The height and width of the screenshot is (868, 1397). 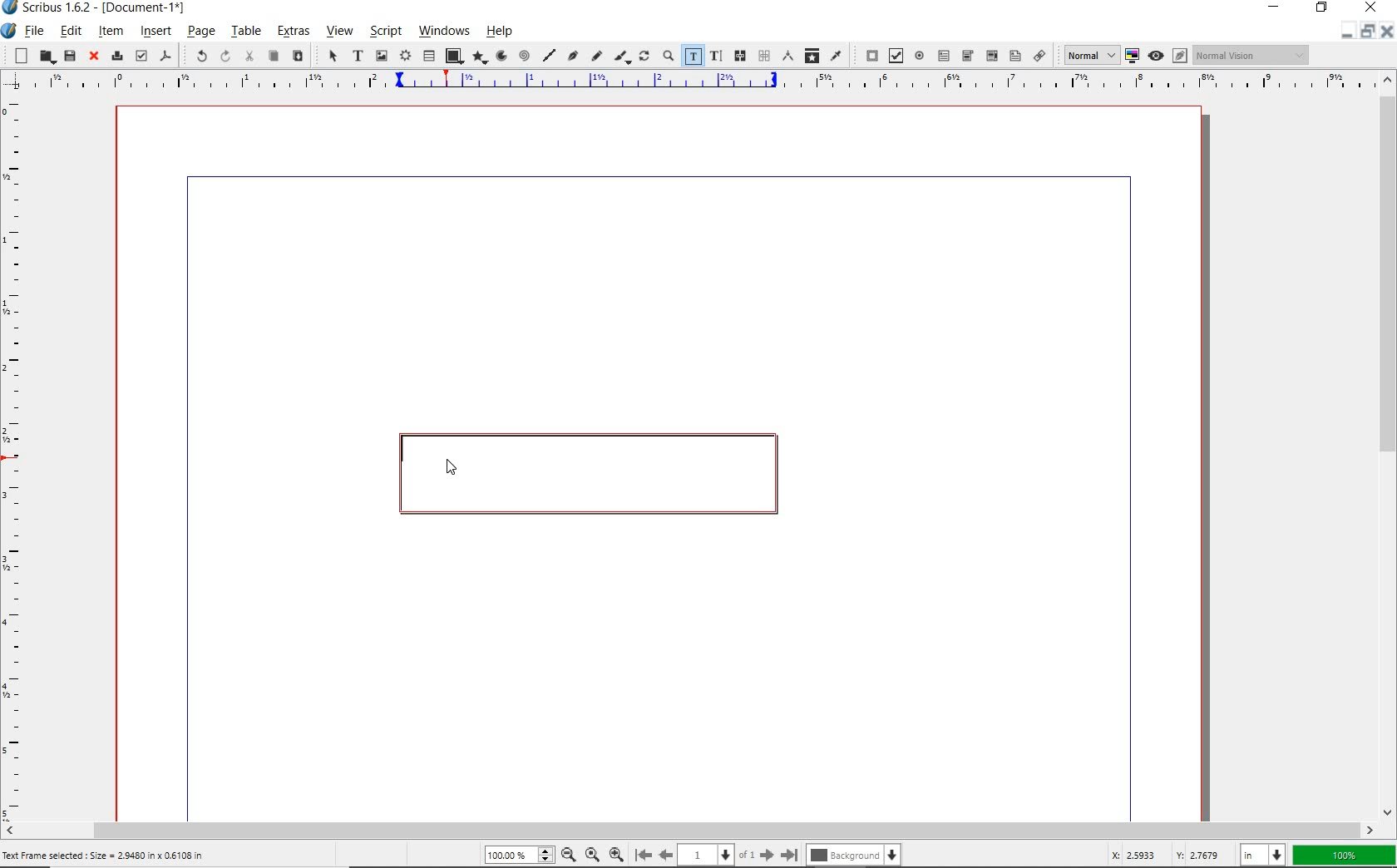 I want to click on 100%, so click(x=516, y=856).